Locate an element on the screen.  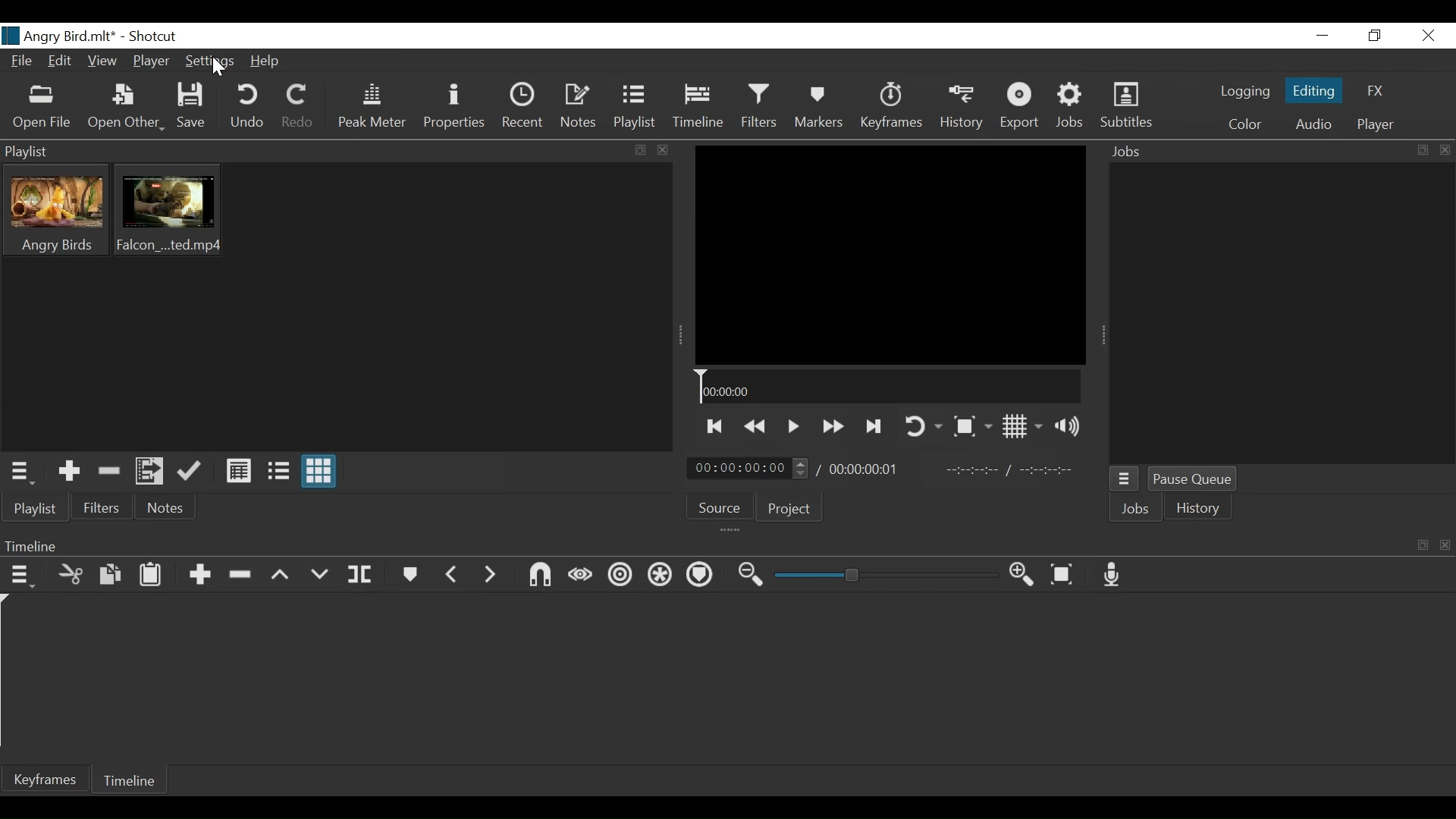
View as Files is located at coordinates (236, 471).